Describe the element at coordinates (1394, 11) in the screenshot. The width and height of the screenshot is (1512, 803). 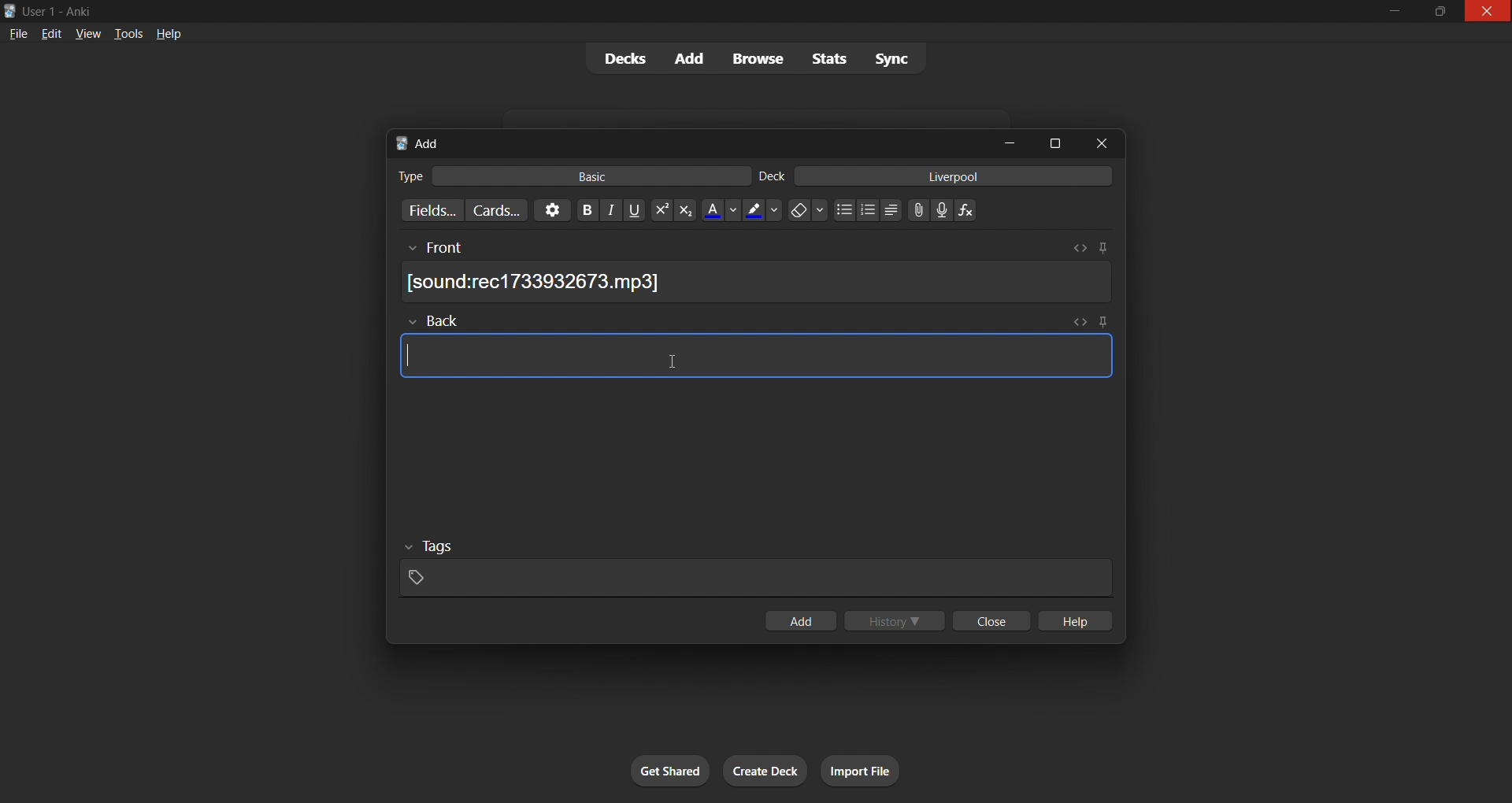
I see `minimize` at that location.